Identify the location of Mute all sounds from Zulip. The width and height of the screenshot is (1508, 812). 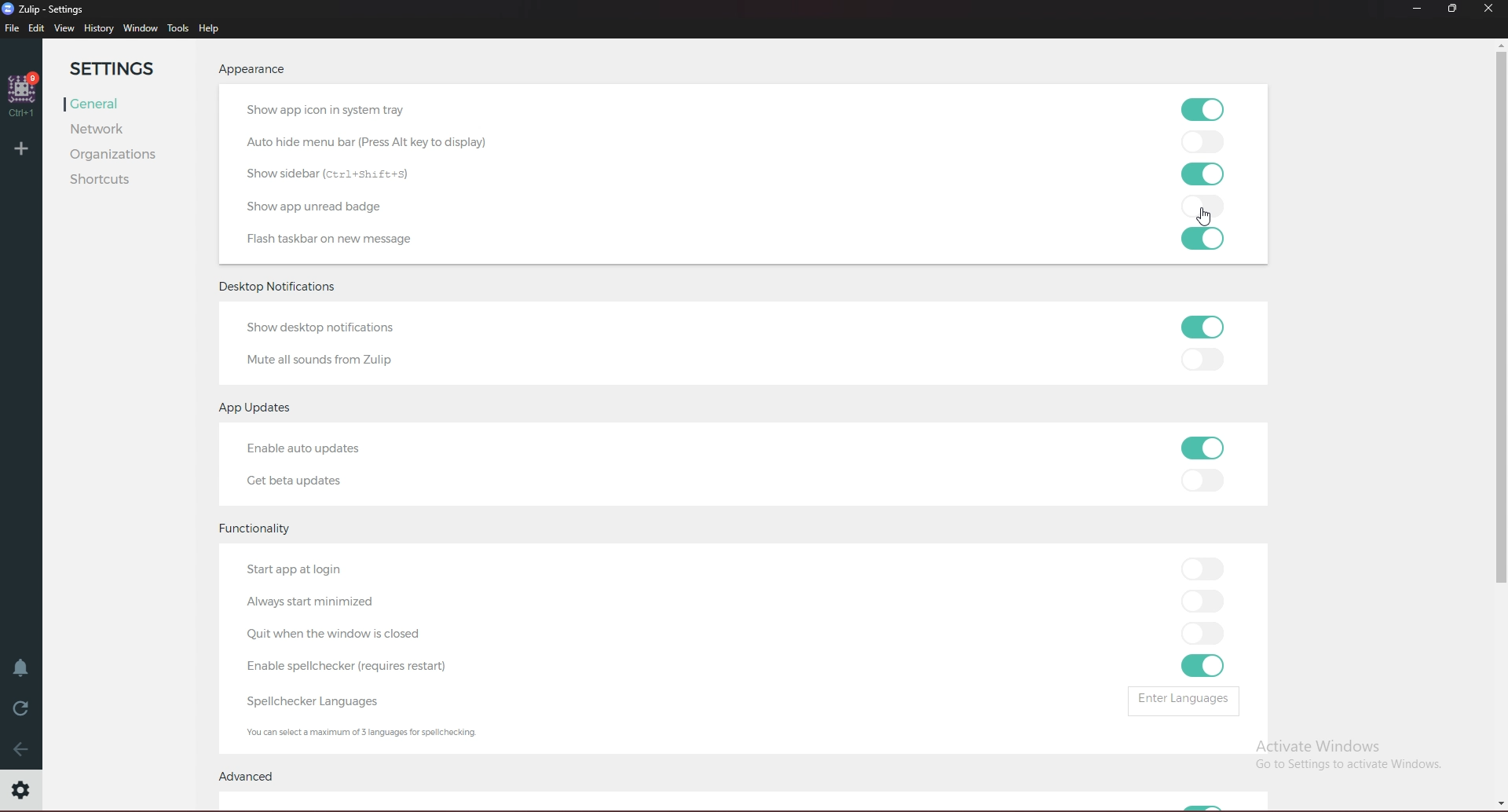
(328, 360).